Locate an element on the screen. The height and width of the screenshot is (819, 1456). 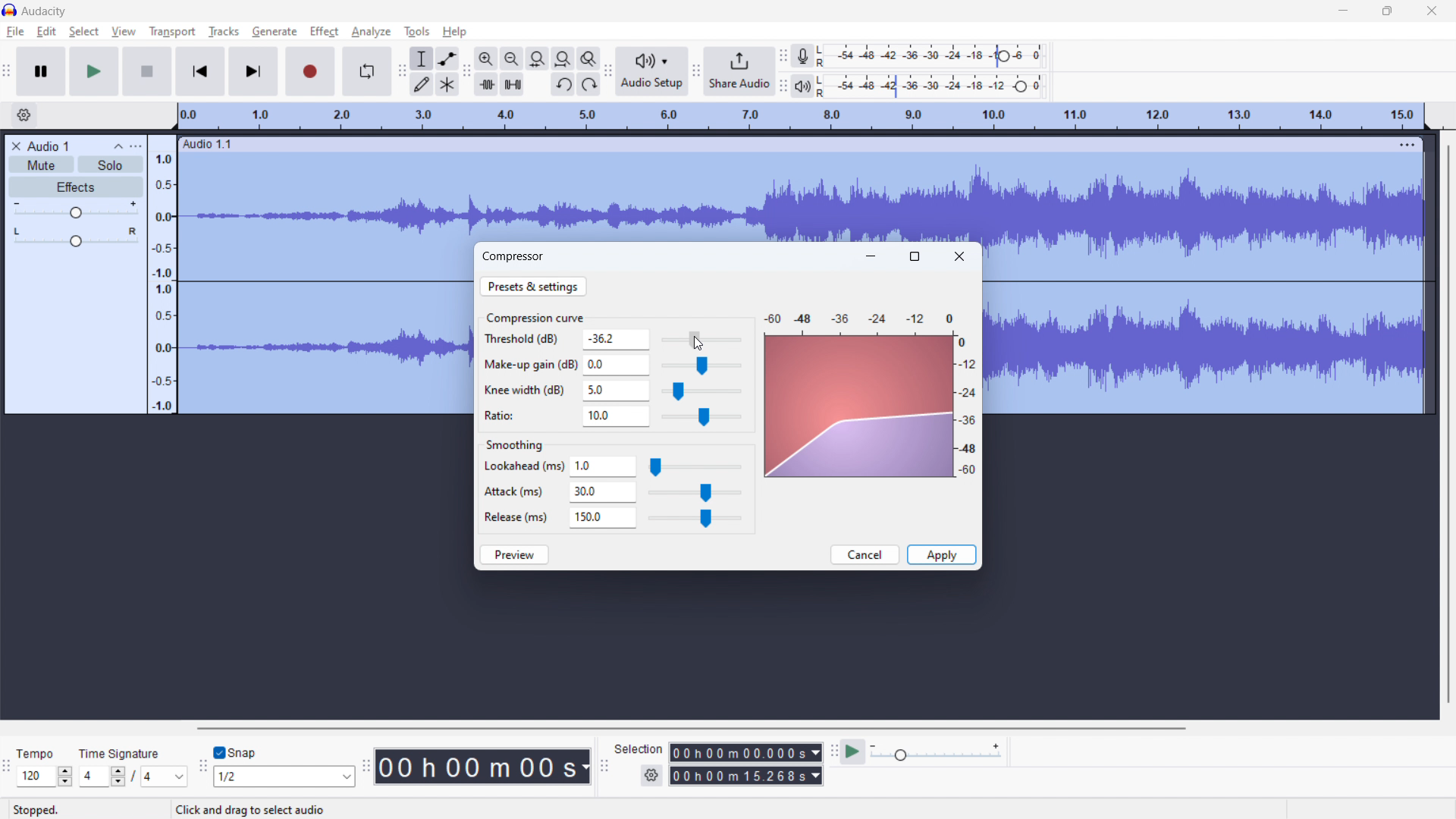
maximize is located at coordinates (1388, 11).